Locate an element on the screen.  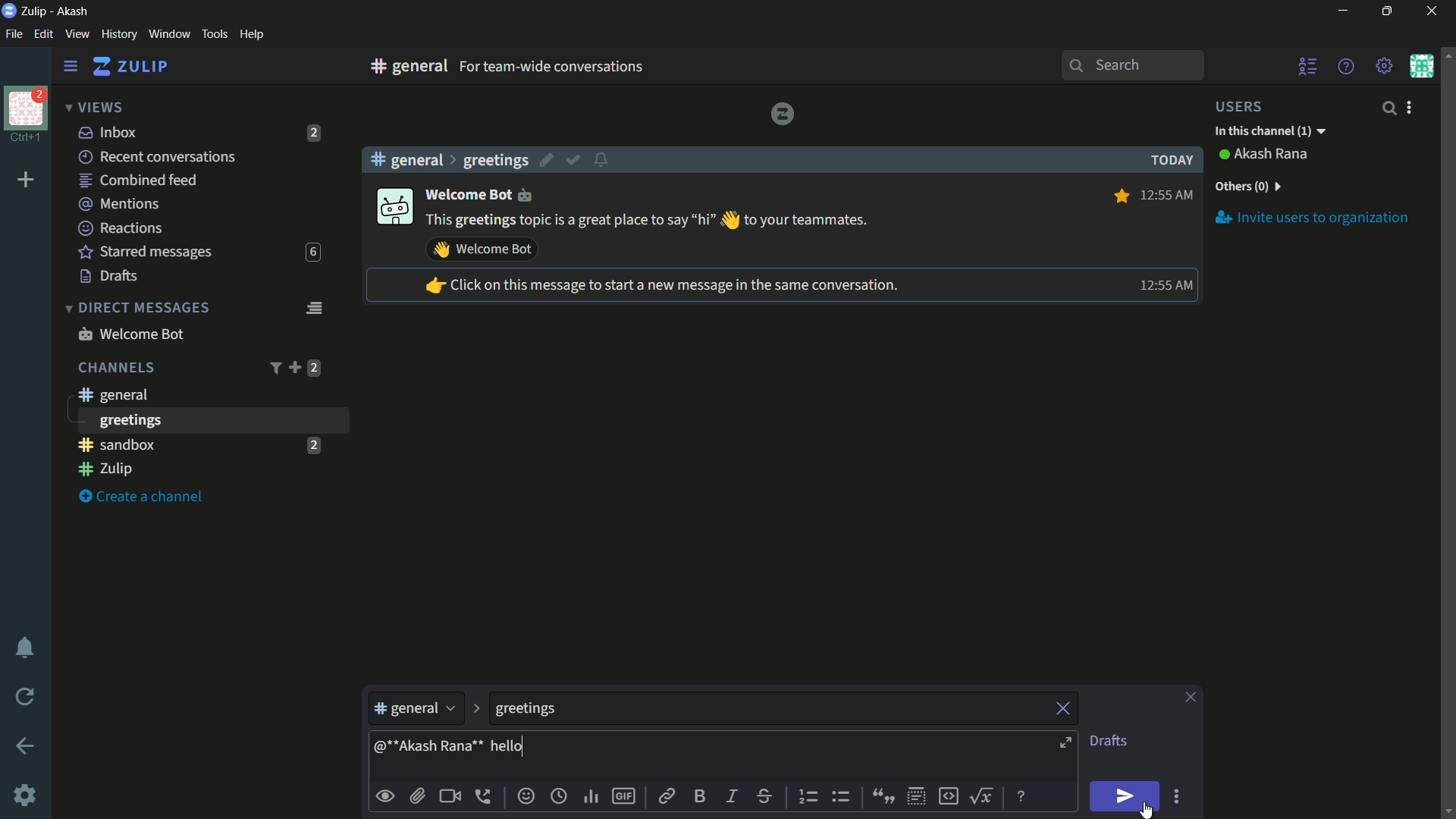
# general is located at coordinates (406, 159).